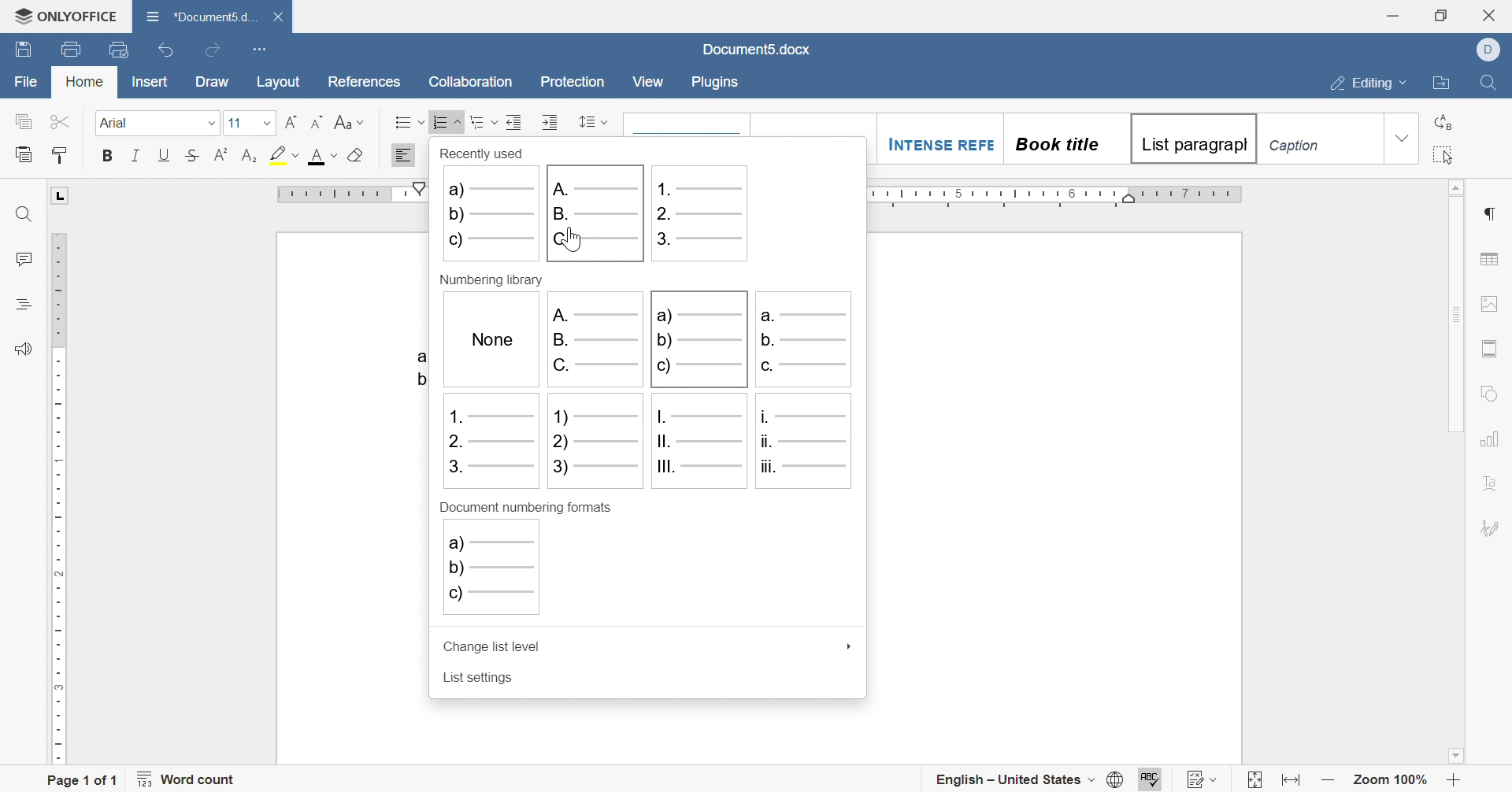  I want to click on page 1 of 1, so click(83, 780).